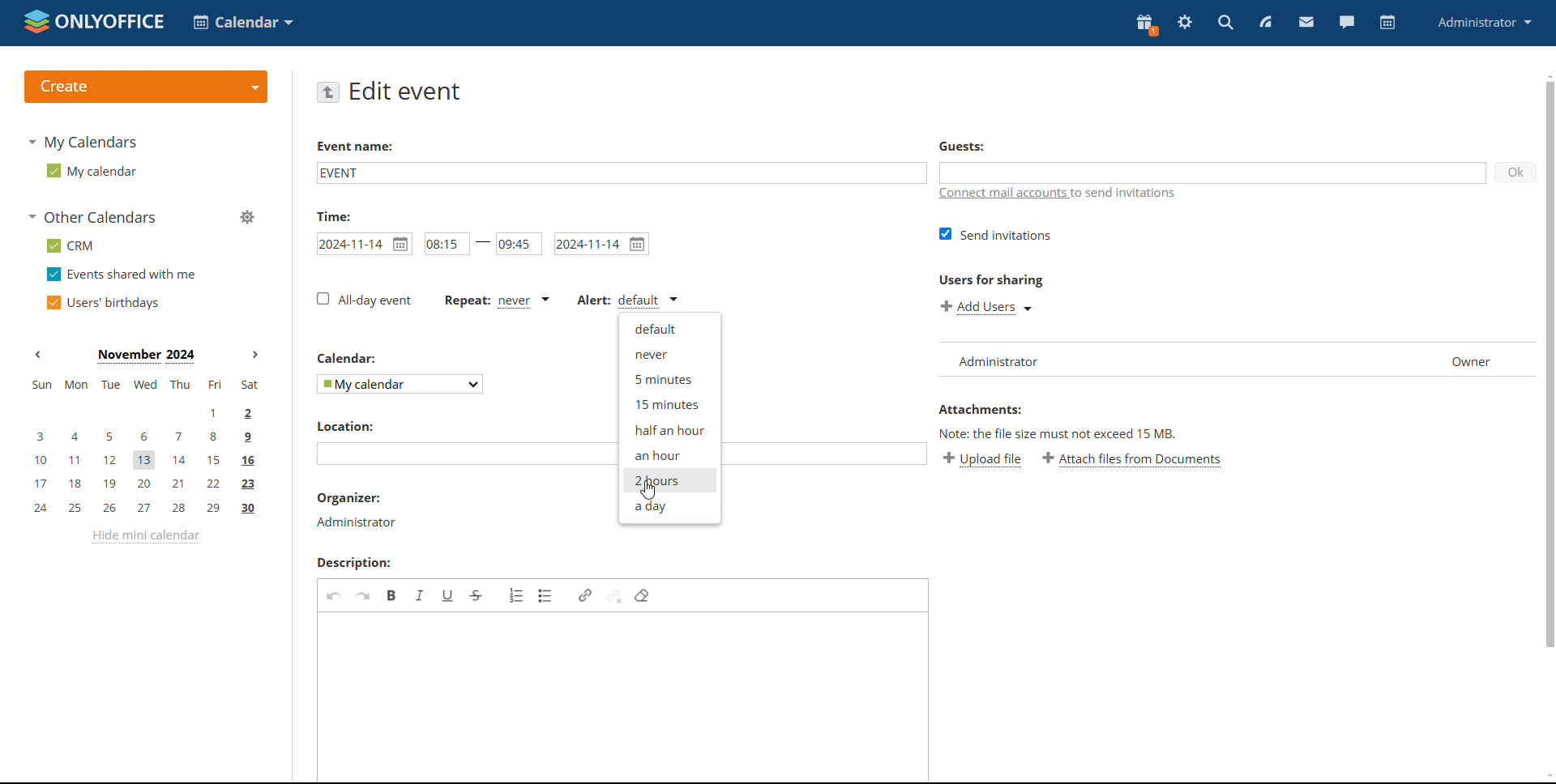 Image resolution: width=1556 pixels, height=784 pixels. I want to click on feed, so click(1266, 24).